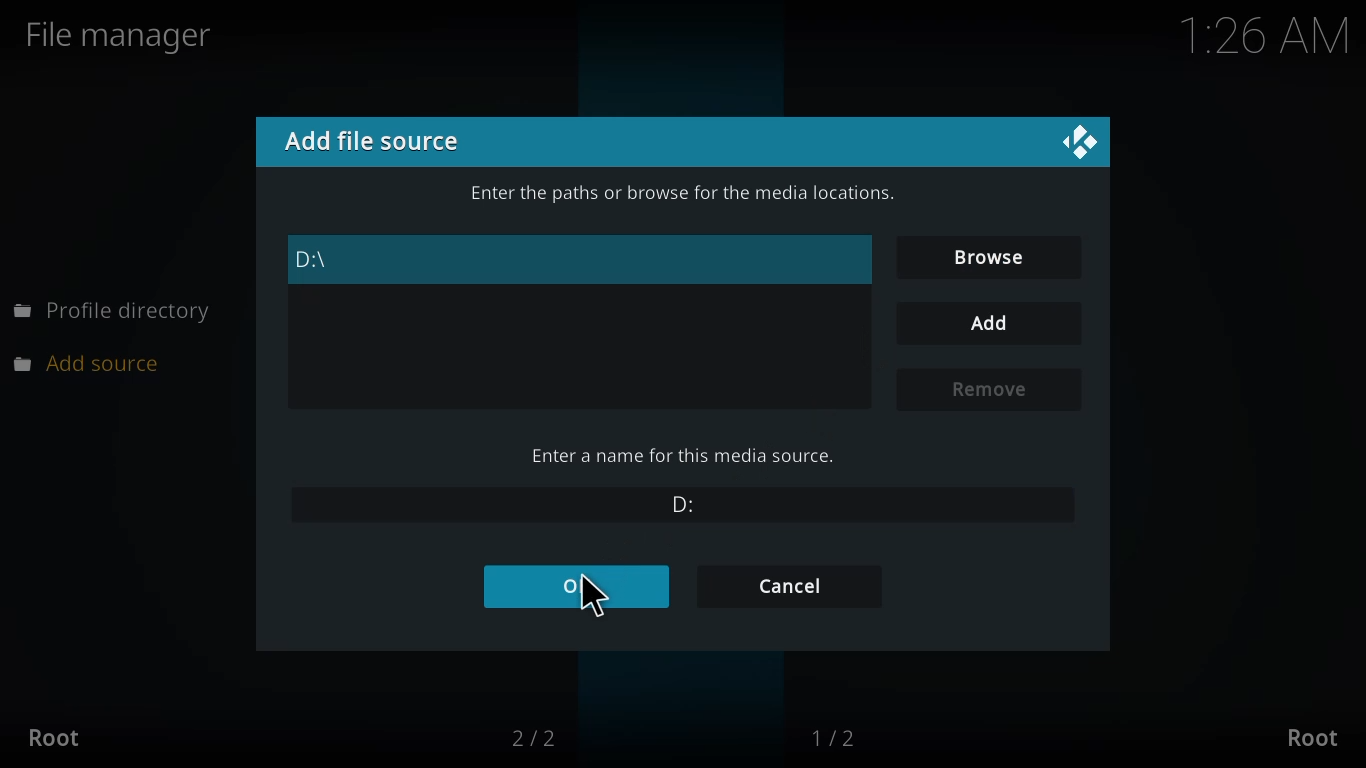 Image resolution: width=1366 pixels, height=768 pixels. I want to click on 2/2, so click(545, 737).